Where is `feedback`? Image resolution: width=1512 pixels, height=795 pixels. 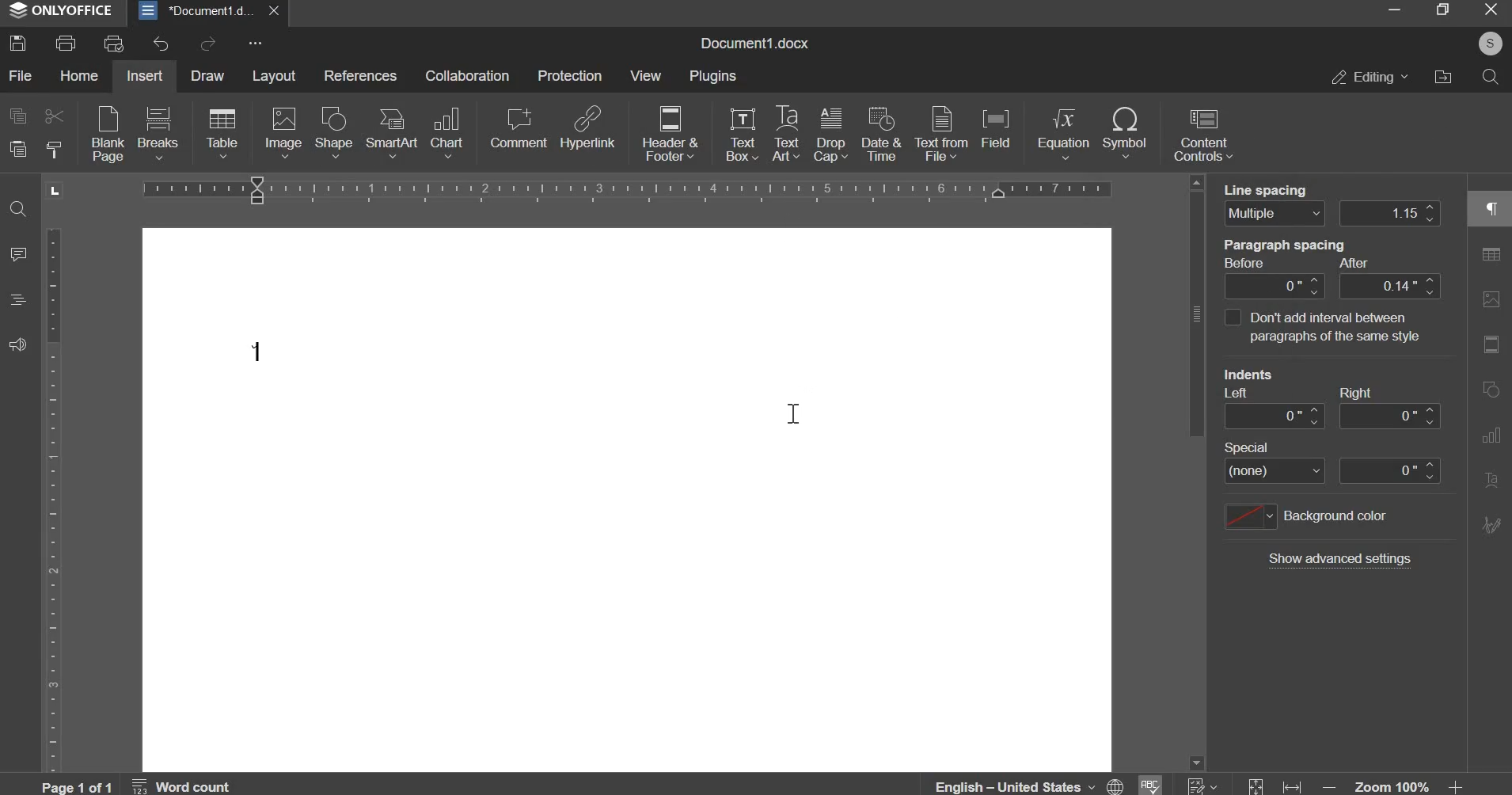
feedback is located at coordinates (17, 344).